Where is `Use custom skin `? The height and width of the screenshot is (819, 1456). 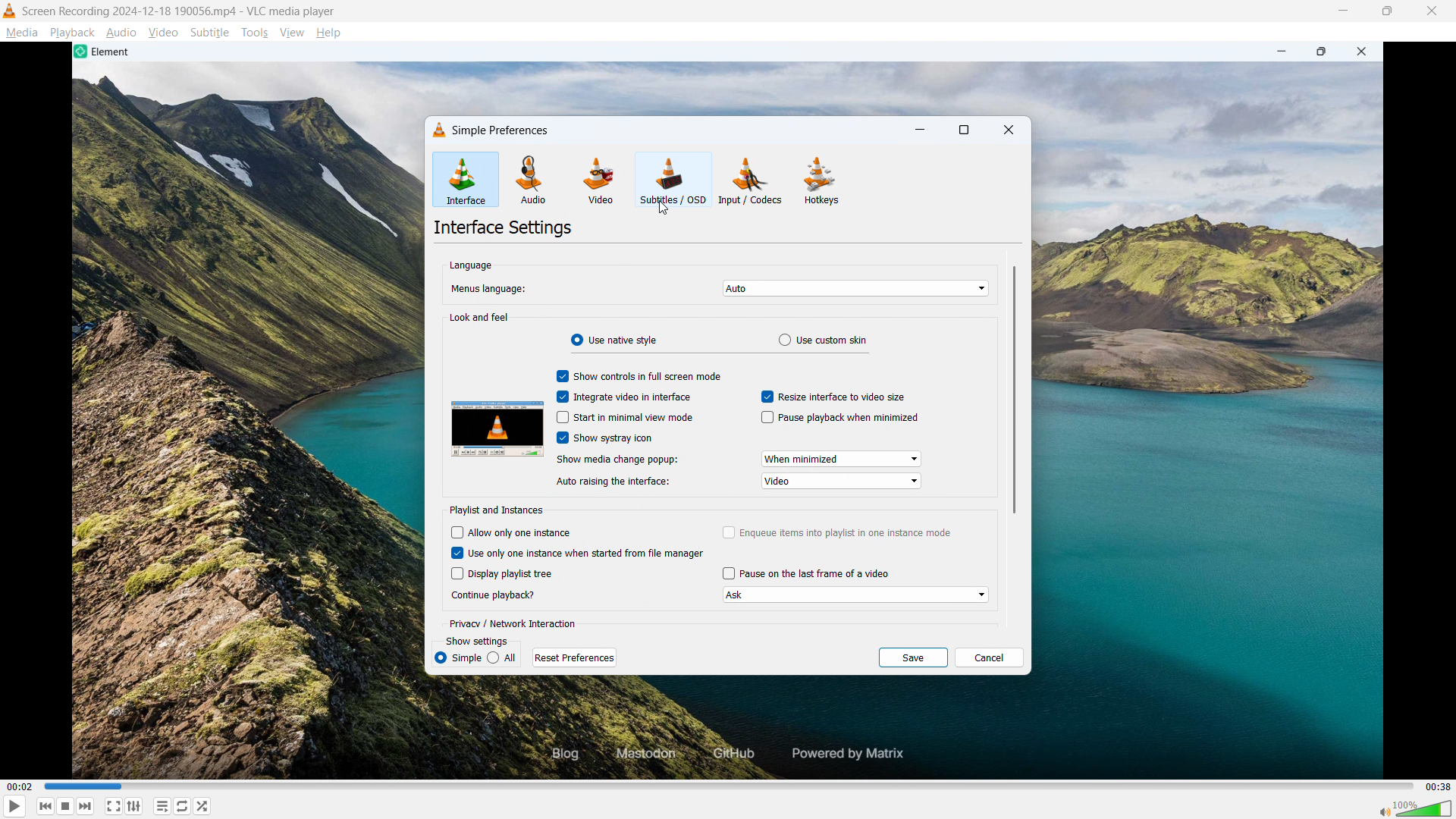
Use custom skin  is located at coordinates (824, 340).